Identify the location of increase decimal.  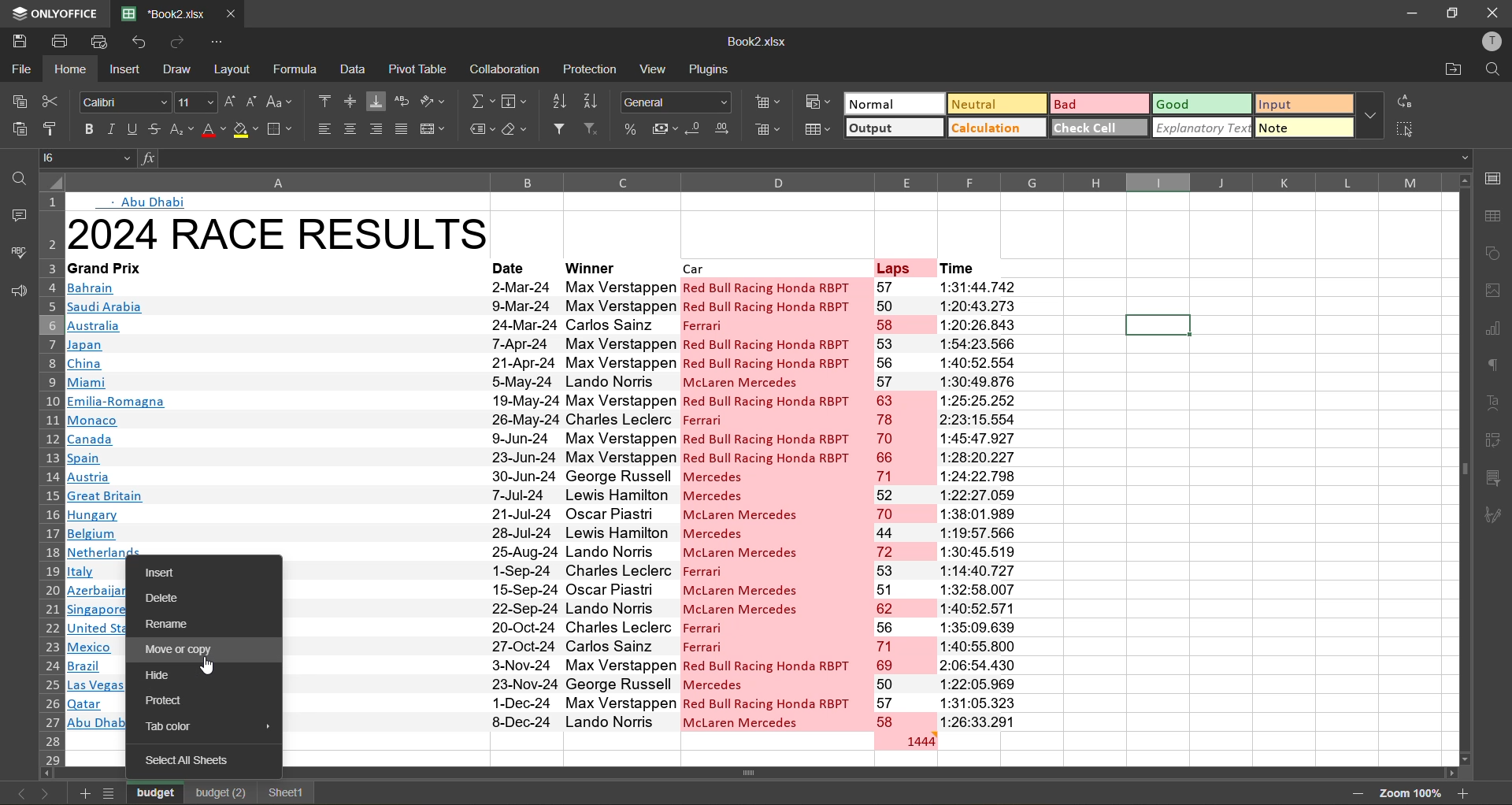
(727, 129).